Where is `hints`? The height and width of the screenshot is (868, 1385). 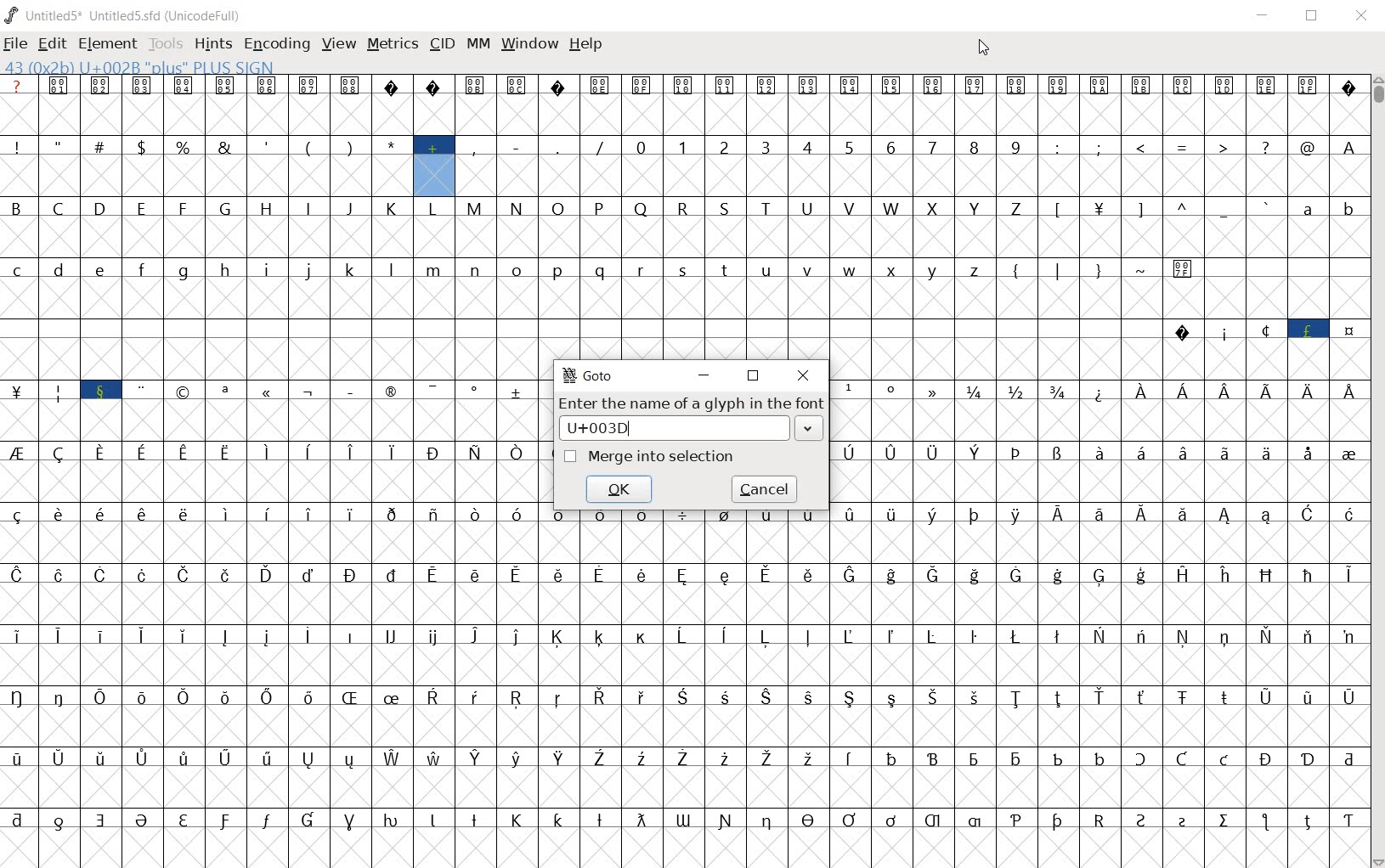 hints is located at coordinates (211, 43).